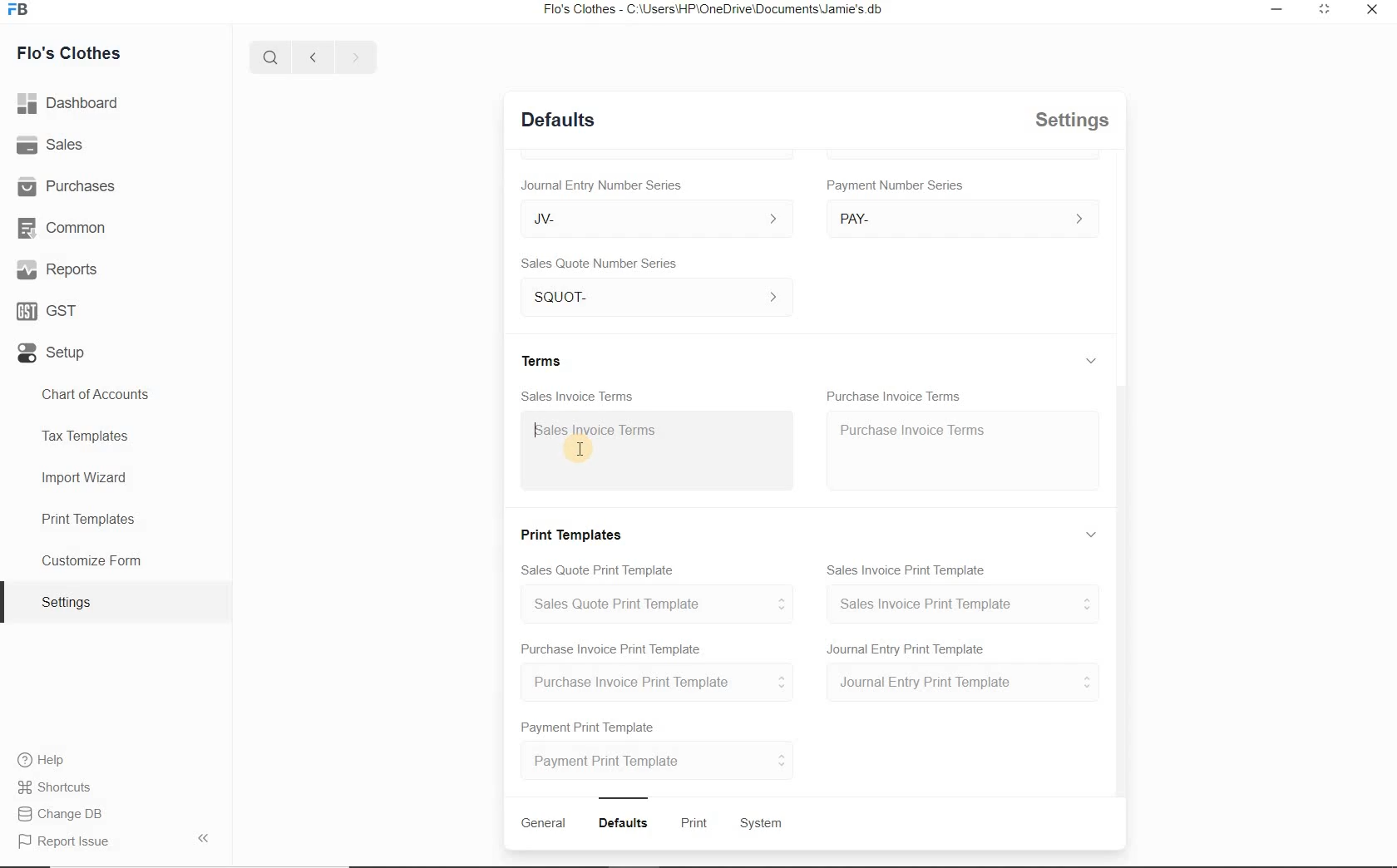  Describe the element at coordinates (663, 683) in the screenshot. I see `Purchase Invoice Print Template` at that location.